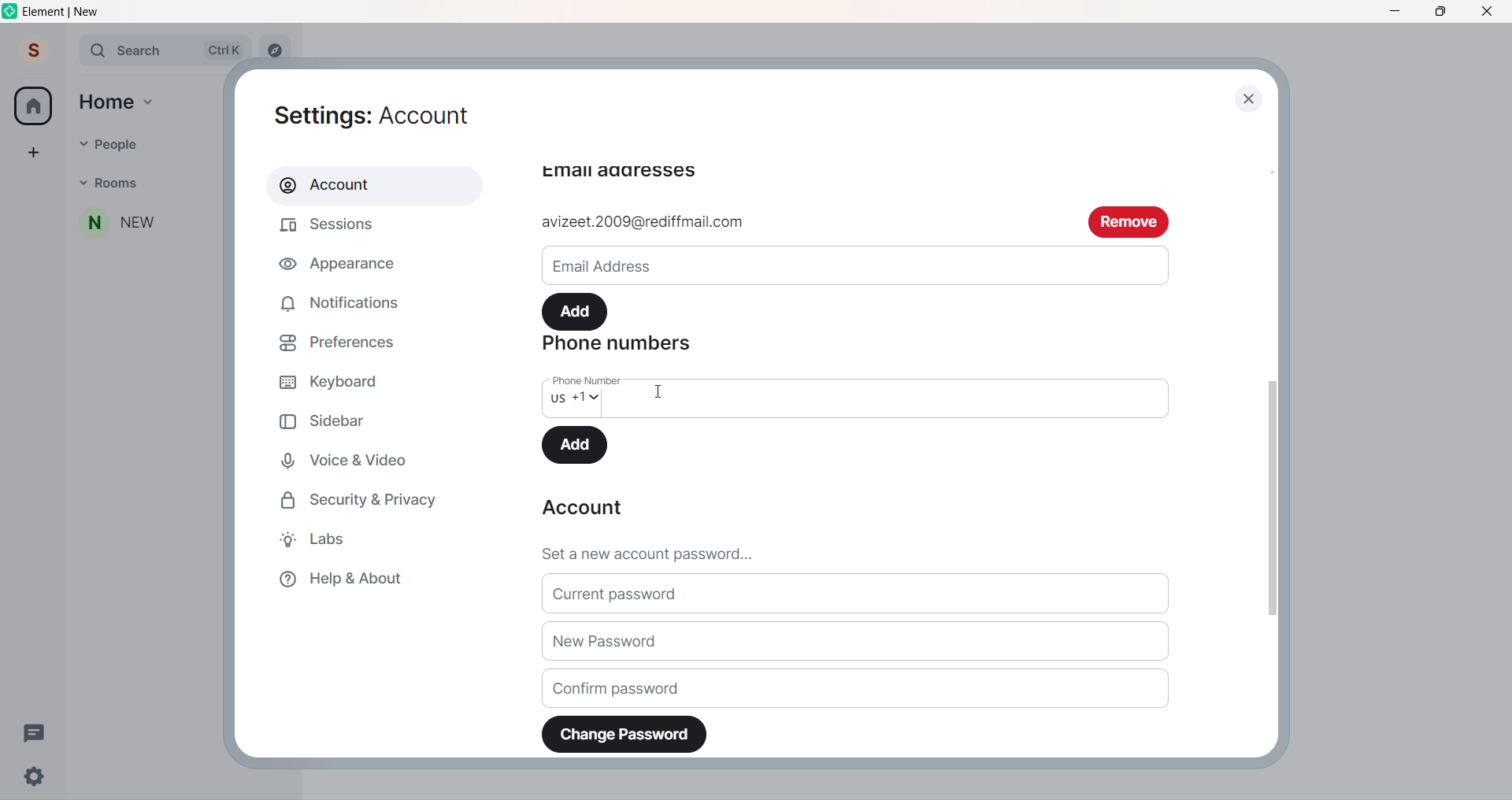 This screenshot has width=1512, height=800. Describe the element at coordinates (79, 143) in the screenshot. I see `Dropdown` at that location.